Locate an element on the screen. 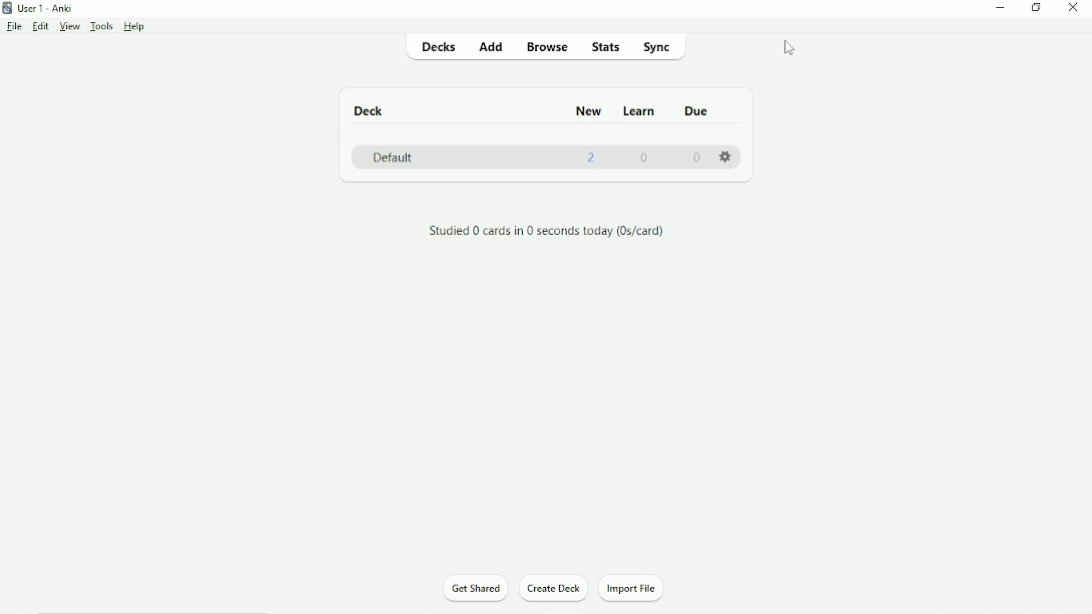 Image resolution: width=1092 pixels, height=614 pixels. Studied 0 cards in 0 seconds today (0s/card) is located at coordinates (546, 230).